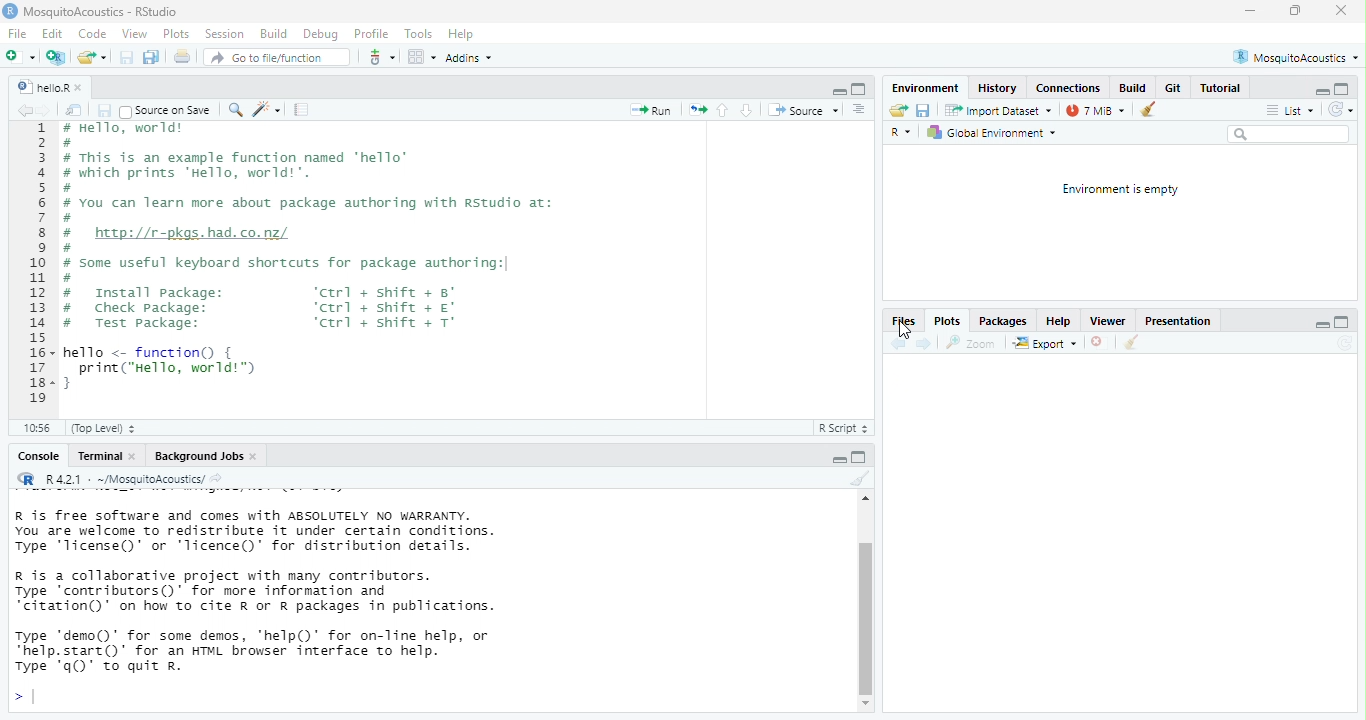 The image size is (1366, 720). What do you see at coordinates (135, 35) in the screenshot?
I see `View` at bounding box center [135, 35].